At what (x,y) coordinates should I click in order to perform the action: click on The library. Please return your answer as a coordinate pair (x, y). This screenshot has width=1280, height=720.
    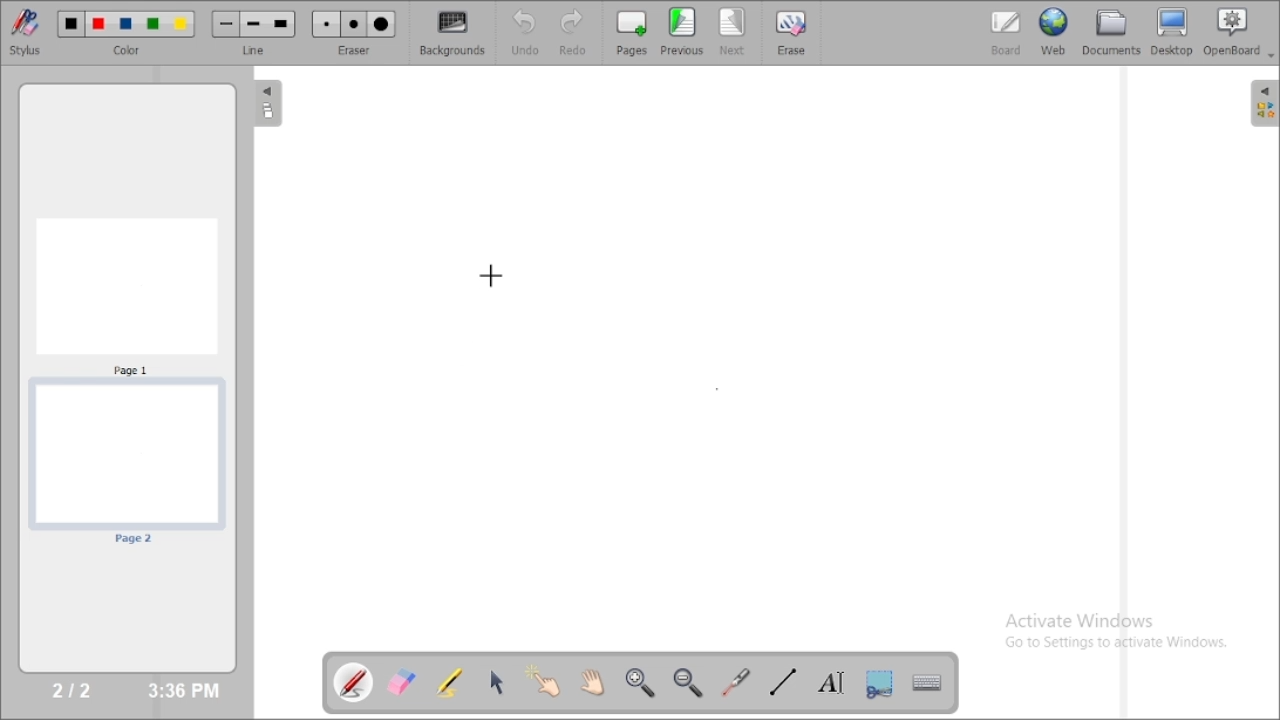
    Looking at the image, I should click on (1264, 102).